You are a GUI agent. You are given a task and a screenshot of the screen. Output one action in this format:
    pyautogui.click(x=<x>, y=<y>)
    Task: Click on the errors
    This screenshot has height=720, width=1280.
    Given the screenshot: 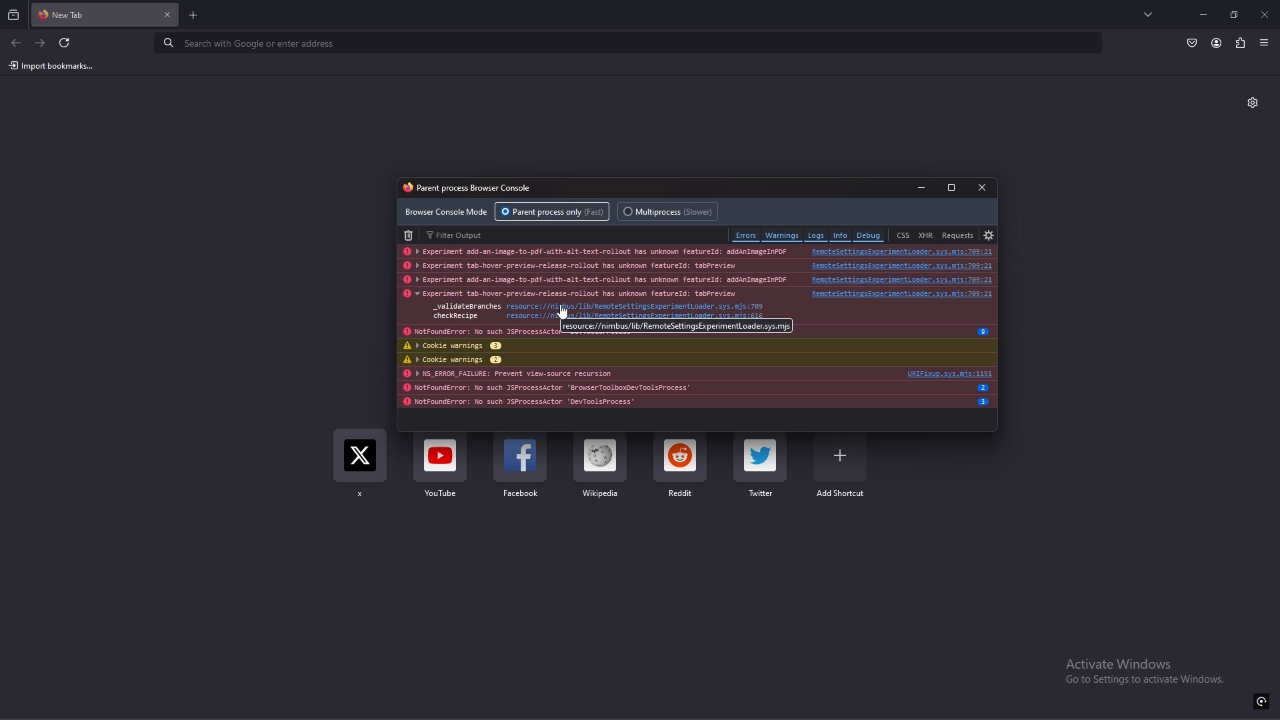 What is the action you would take?
    pyautogui.click(x=746, y=235)
    